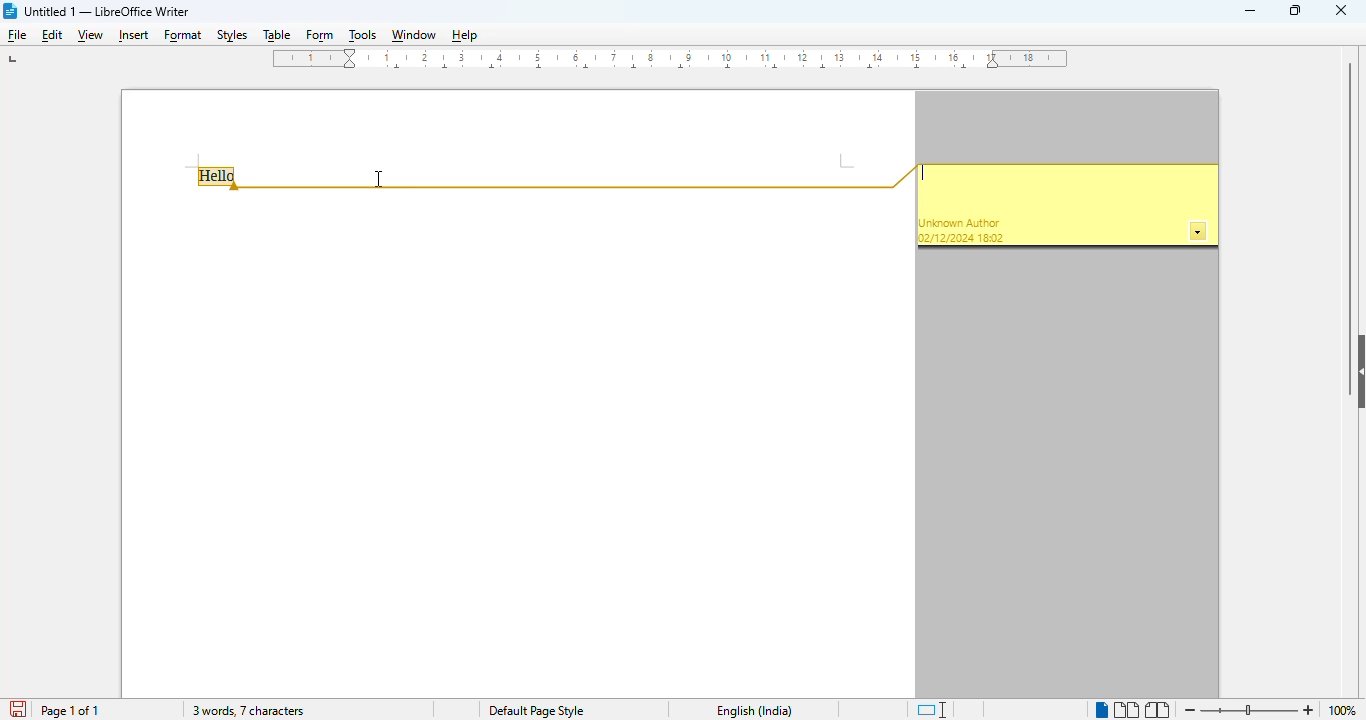  I want to click on table, so click(276, 36).